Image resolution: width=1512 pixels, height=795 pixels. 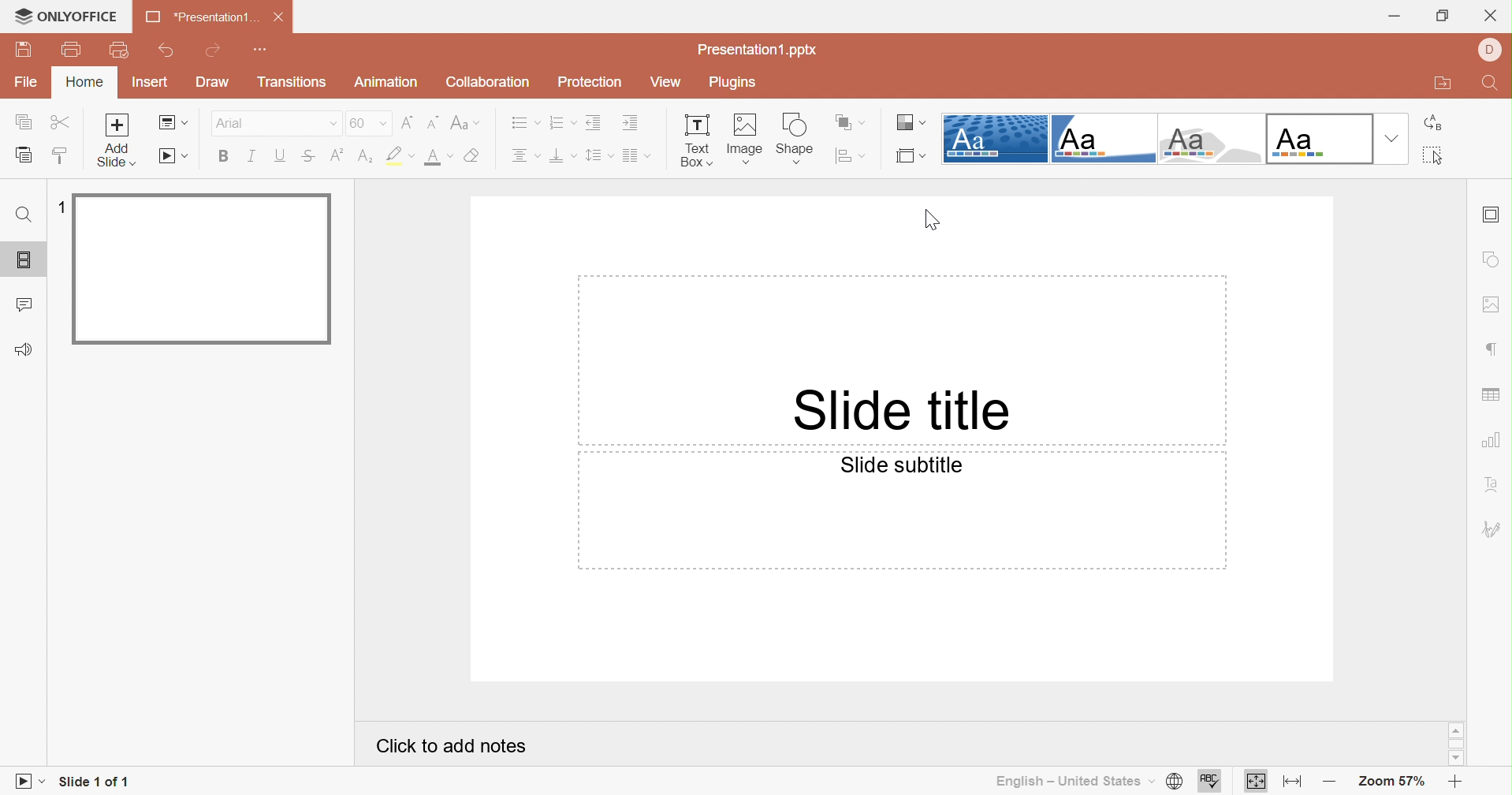 I want to click on Text art settings, so click(x=1494, y=483).